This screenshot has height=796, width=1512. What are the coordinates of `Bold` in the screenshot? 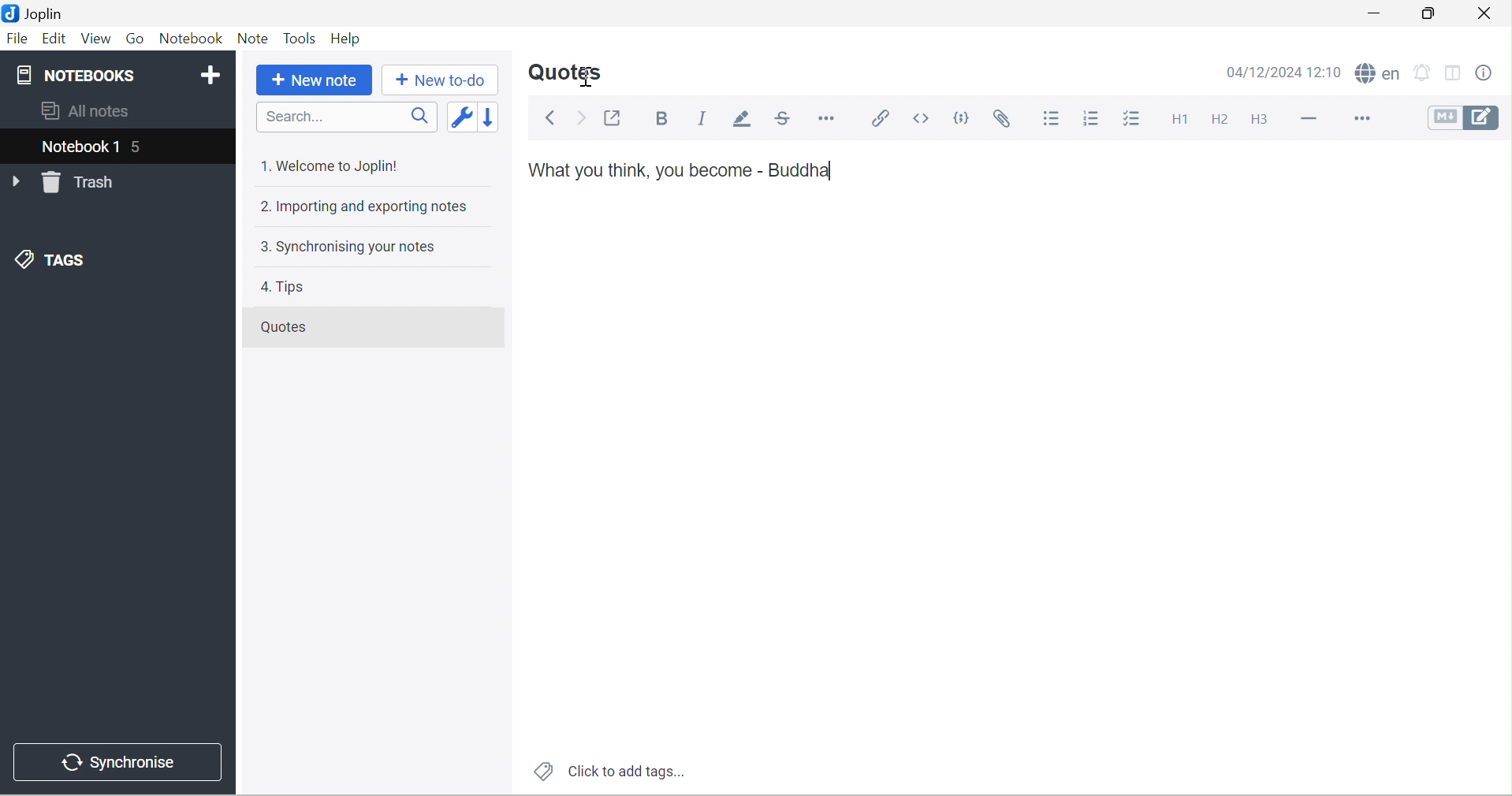 It's located at (664, 119).